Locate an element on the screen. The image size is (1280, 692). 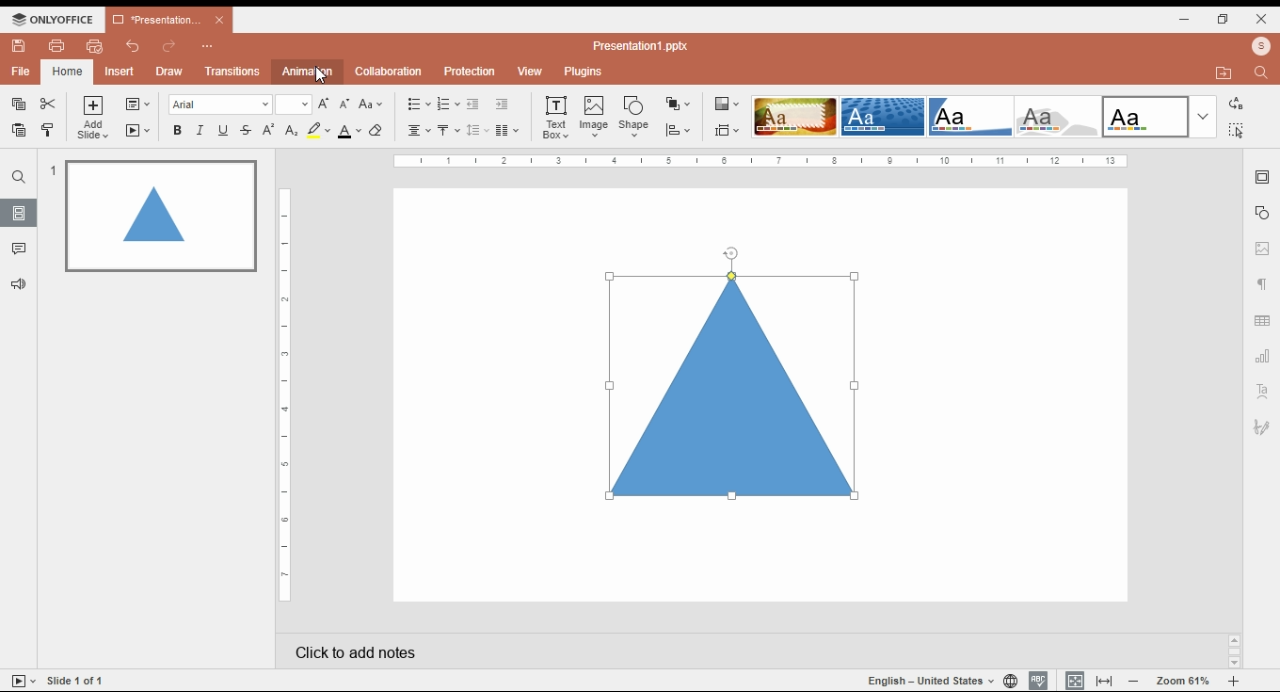
copy is located at coordinates (19, 104).